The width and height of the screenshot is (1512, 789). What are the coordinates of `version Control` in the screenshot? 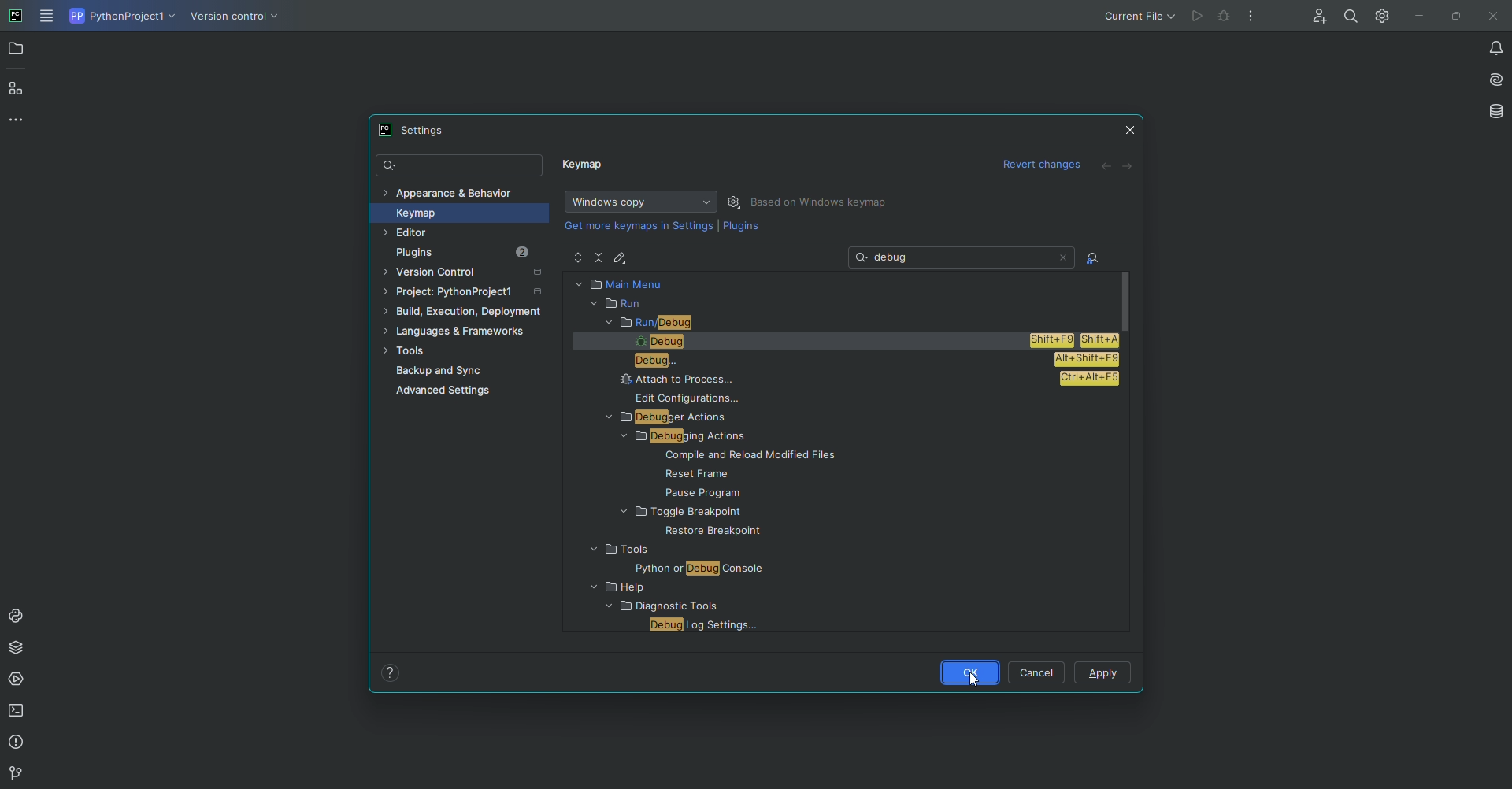 It's located at (13, 774).